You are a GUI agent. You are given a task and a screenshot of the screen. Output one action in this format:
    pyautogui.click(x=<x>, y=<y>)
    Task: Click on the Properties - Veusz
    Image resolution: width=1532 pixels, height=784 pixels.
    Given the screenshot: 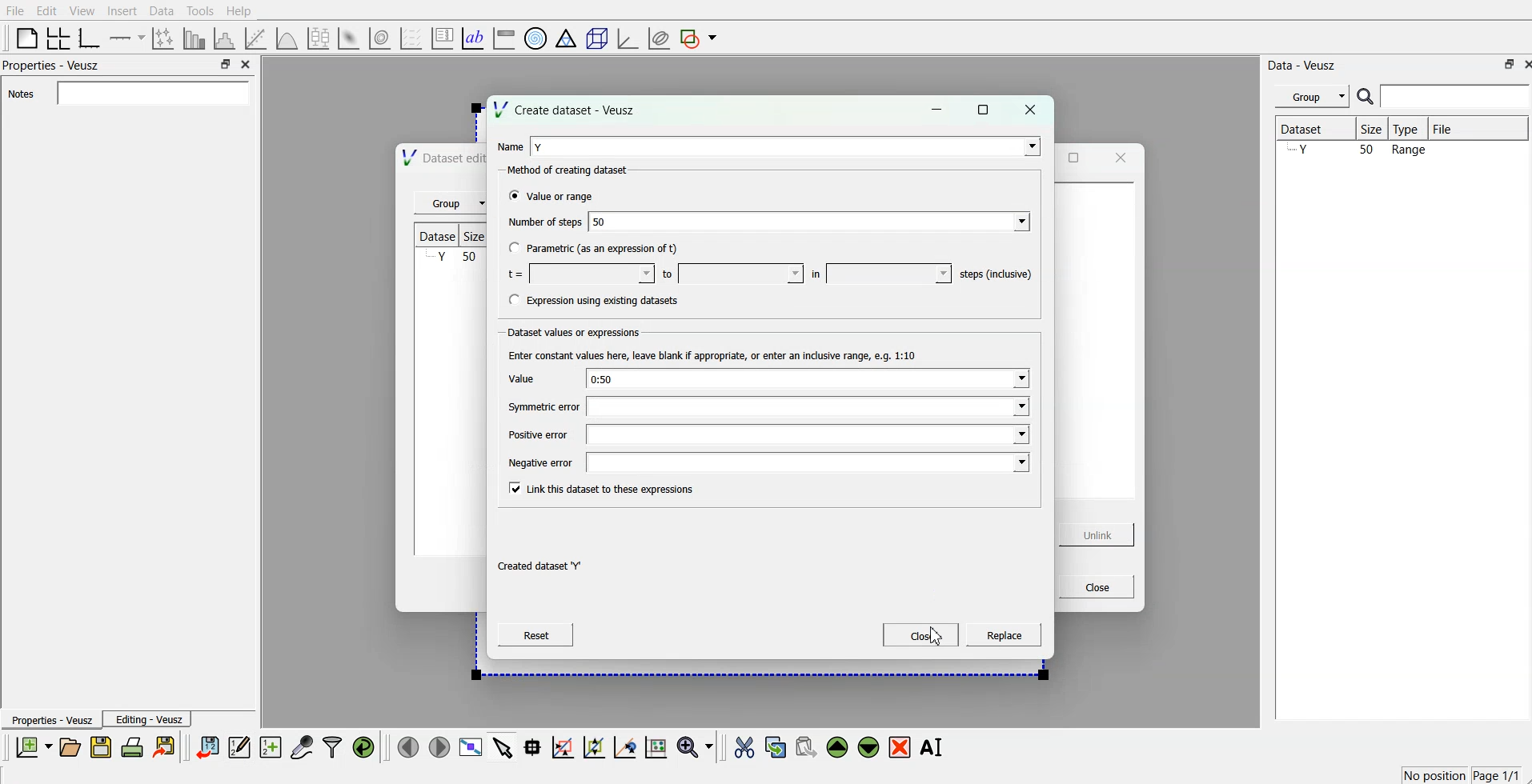 What is the action you would take?
    pyautogui.click(x=53, y=720)
    